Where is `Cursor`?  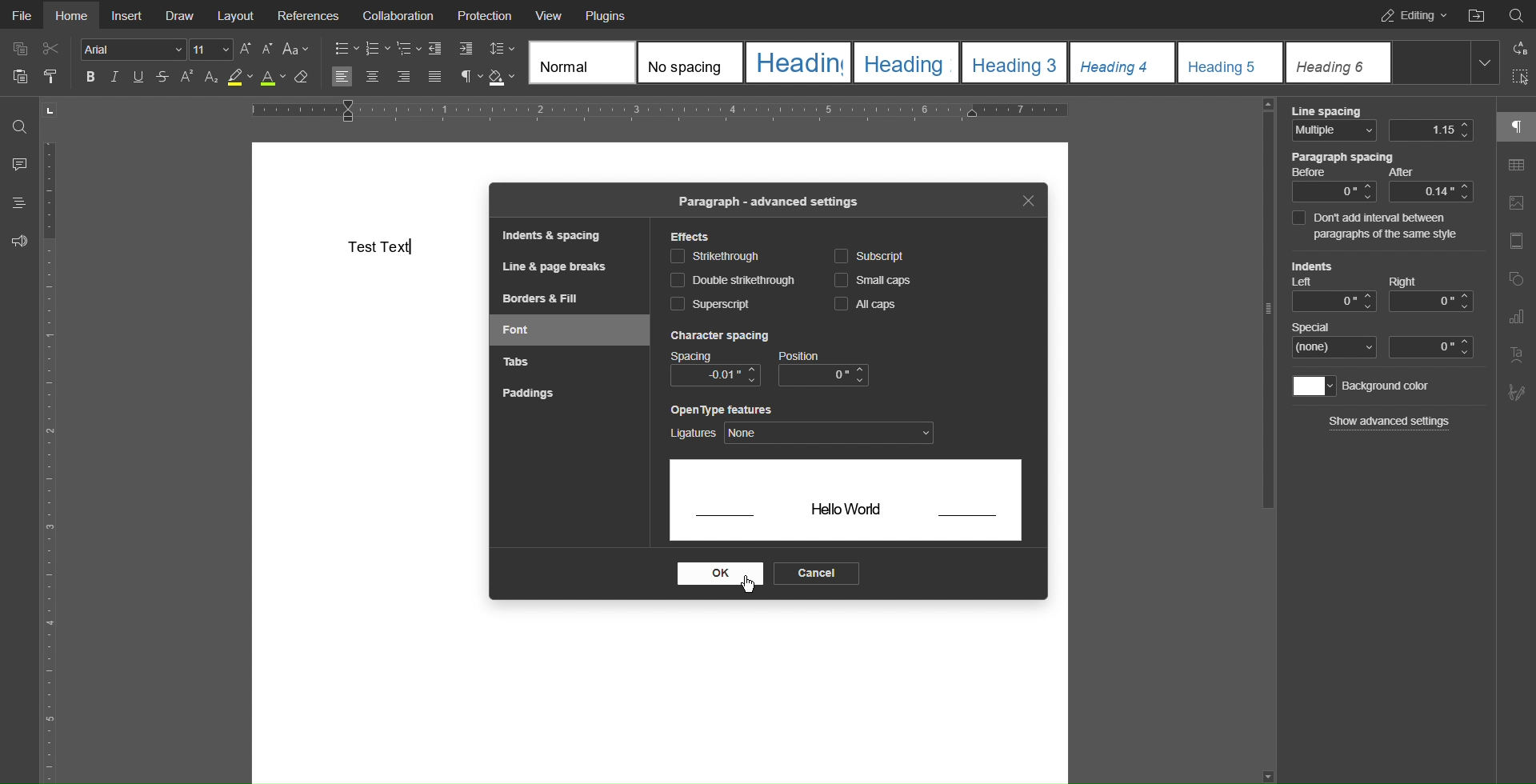 Cursor is located at coordinates (749, 585).